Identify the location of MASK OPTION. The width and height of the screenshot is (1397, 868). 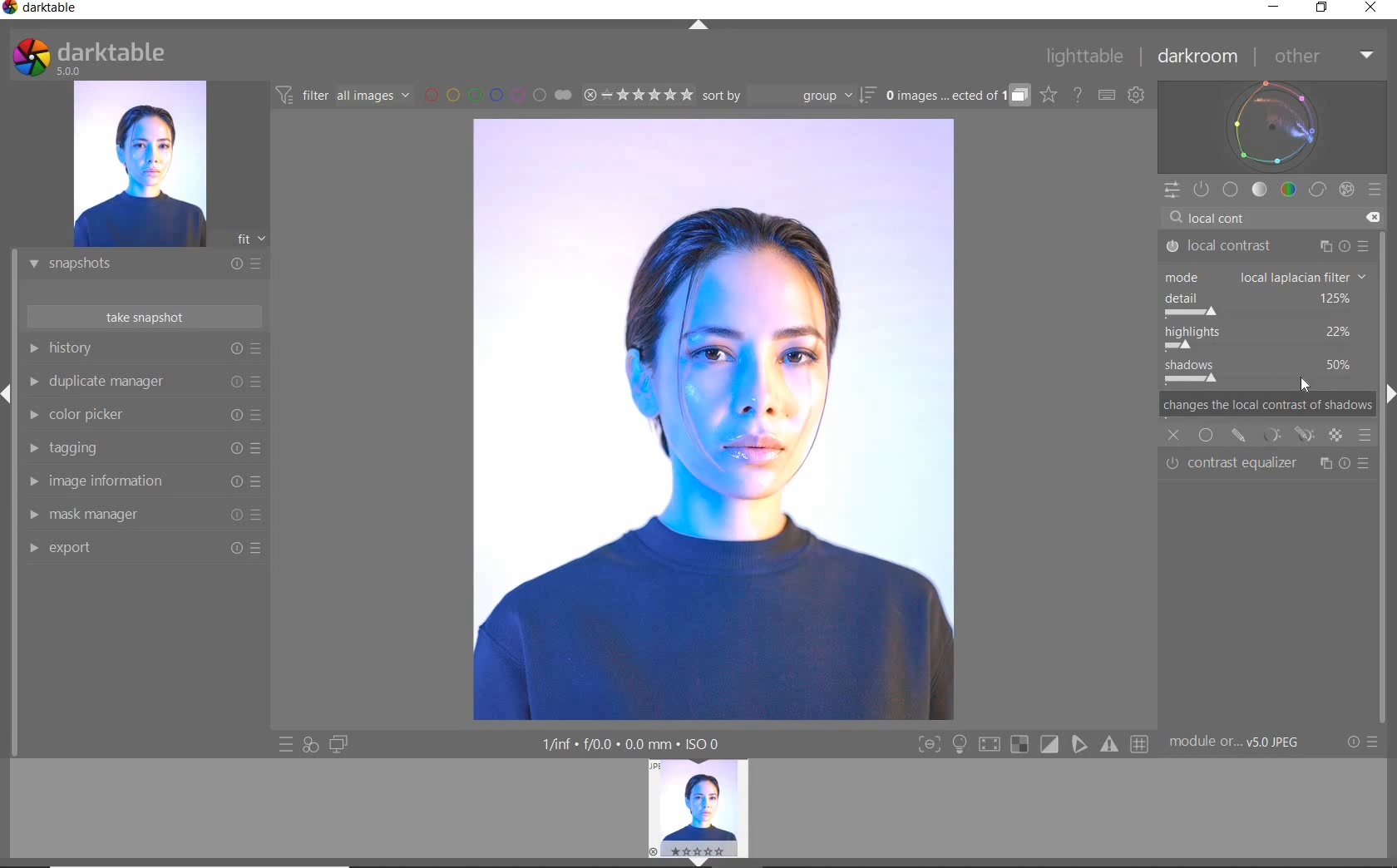
(1336, 436).